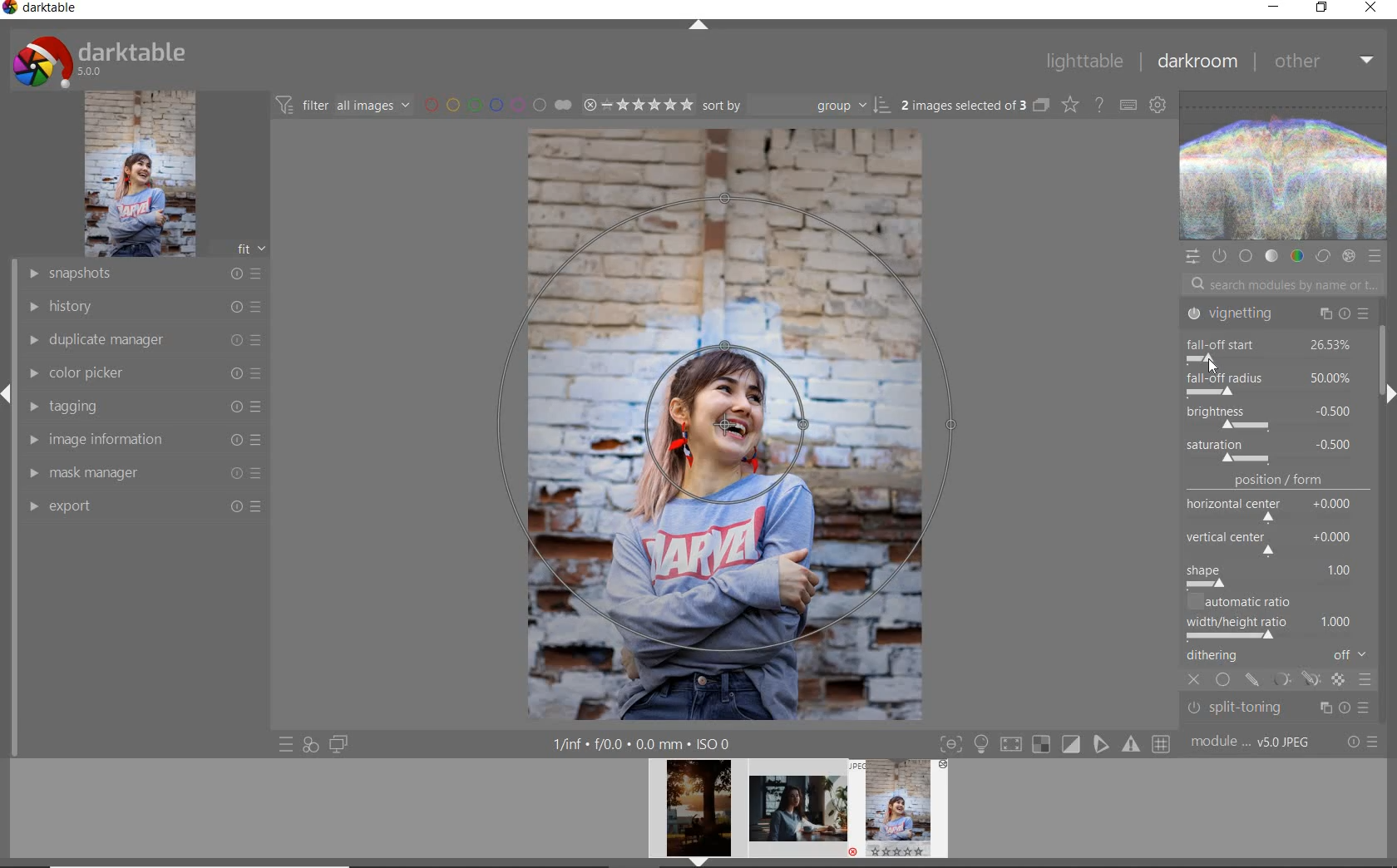 The image size is (1397, 868). What do you see at coordinates (644, 744) in the screenshot?
I see `other interface detal` at bounding box center [644, 744].